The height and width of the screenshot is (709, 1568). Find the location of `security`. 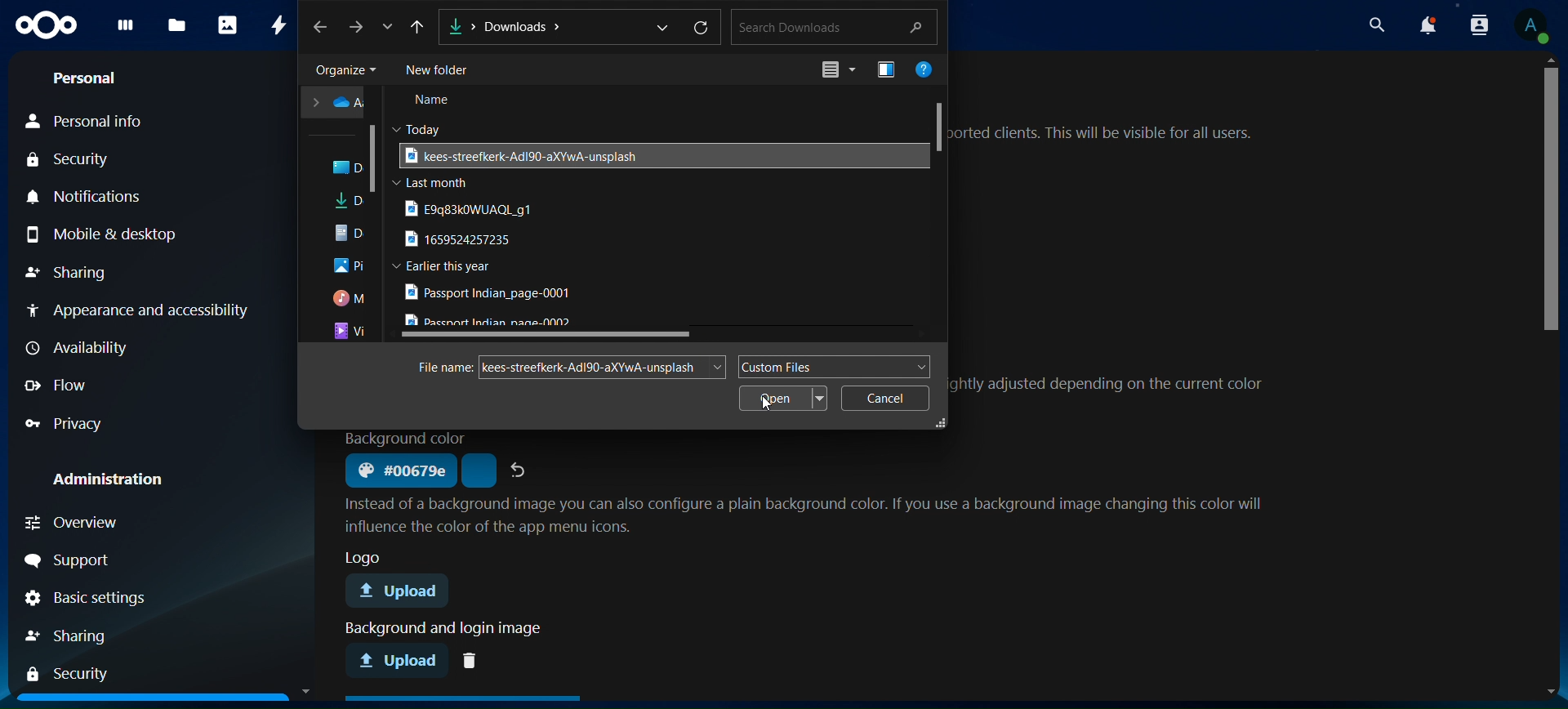

security is located at coordinates (74, 673).